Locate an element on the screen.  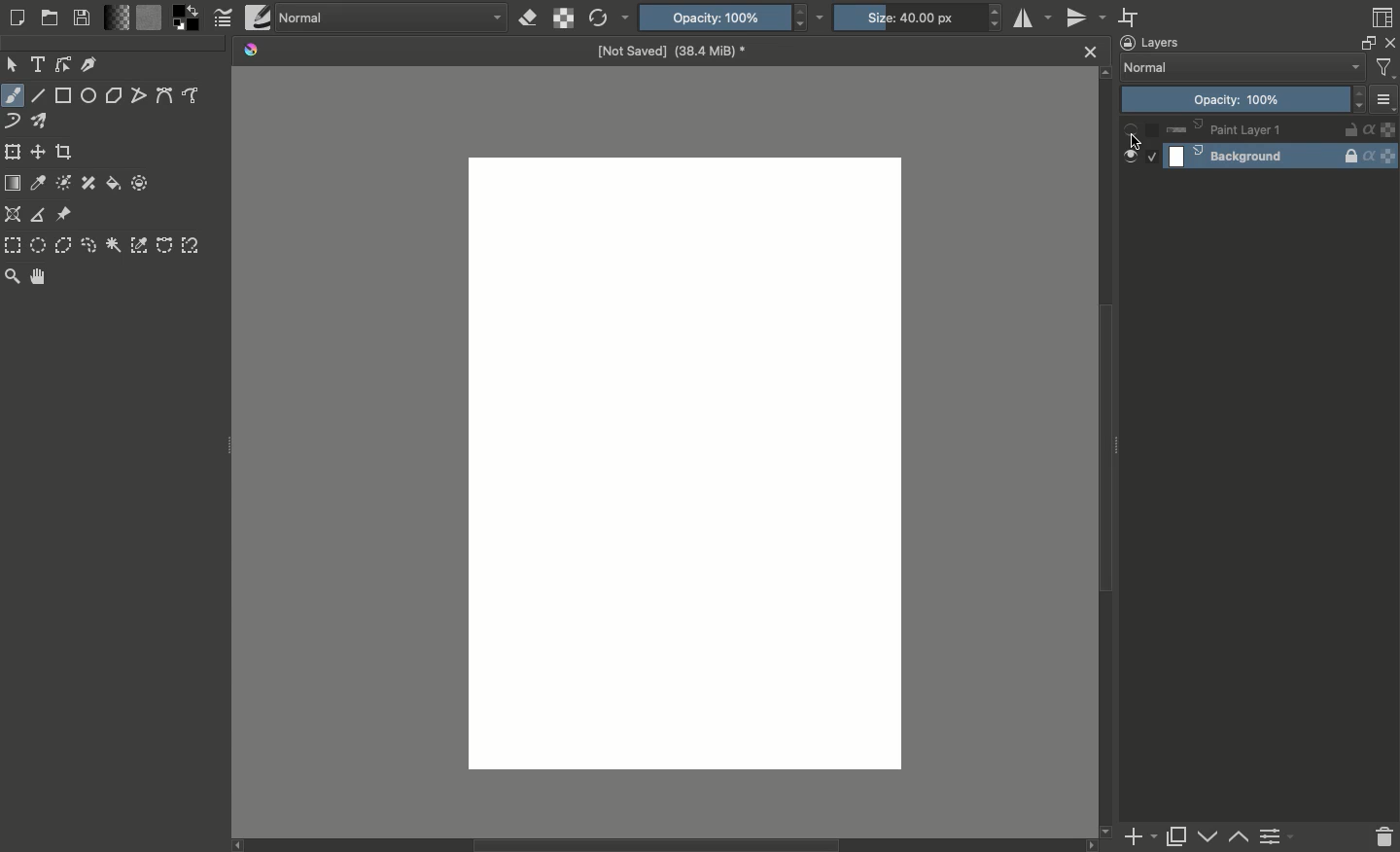
Duplicate layer is located at coordinates (1181, 837).